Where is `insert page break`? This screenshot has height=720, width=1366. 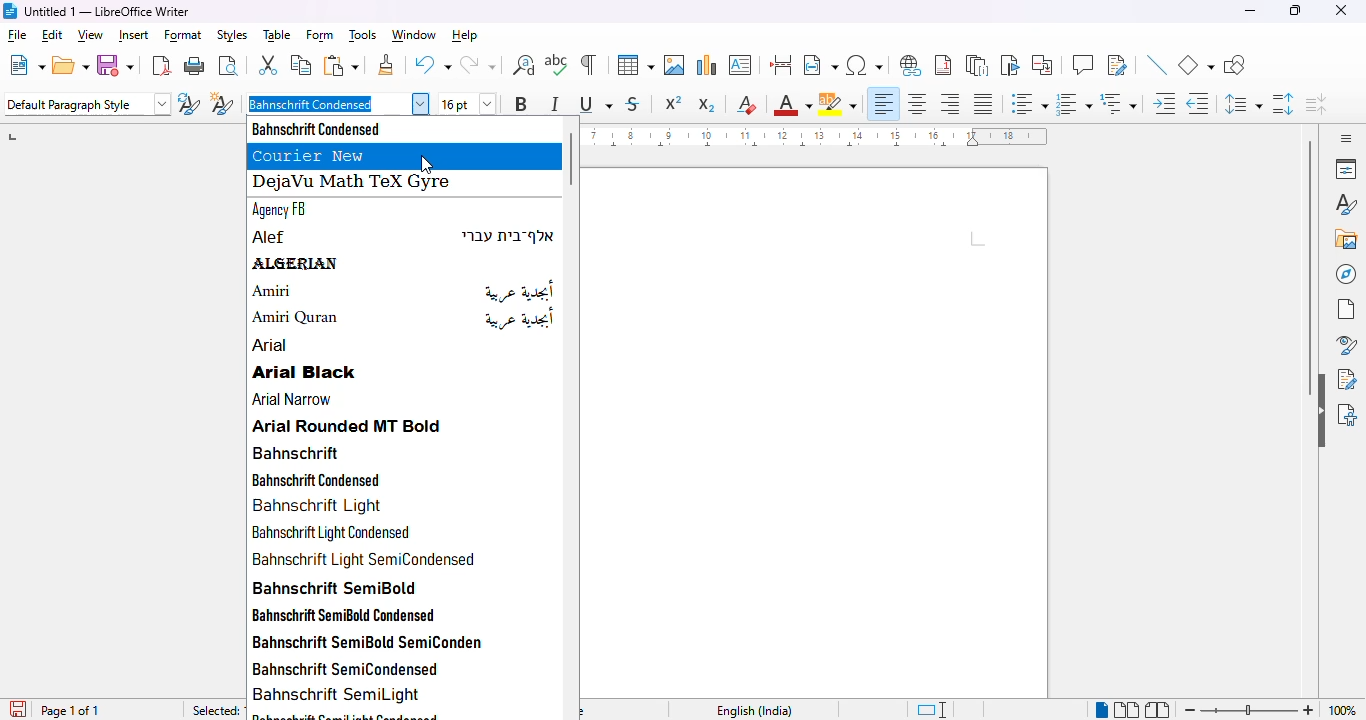 insert page break is located at coordinates (780, 64).